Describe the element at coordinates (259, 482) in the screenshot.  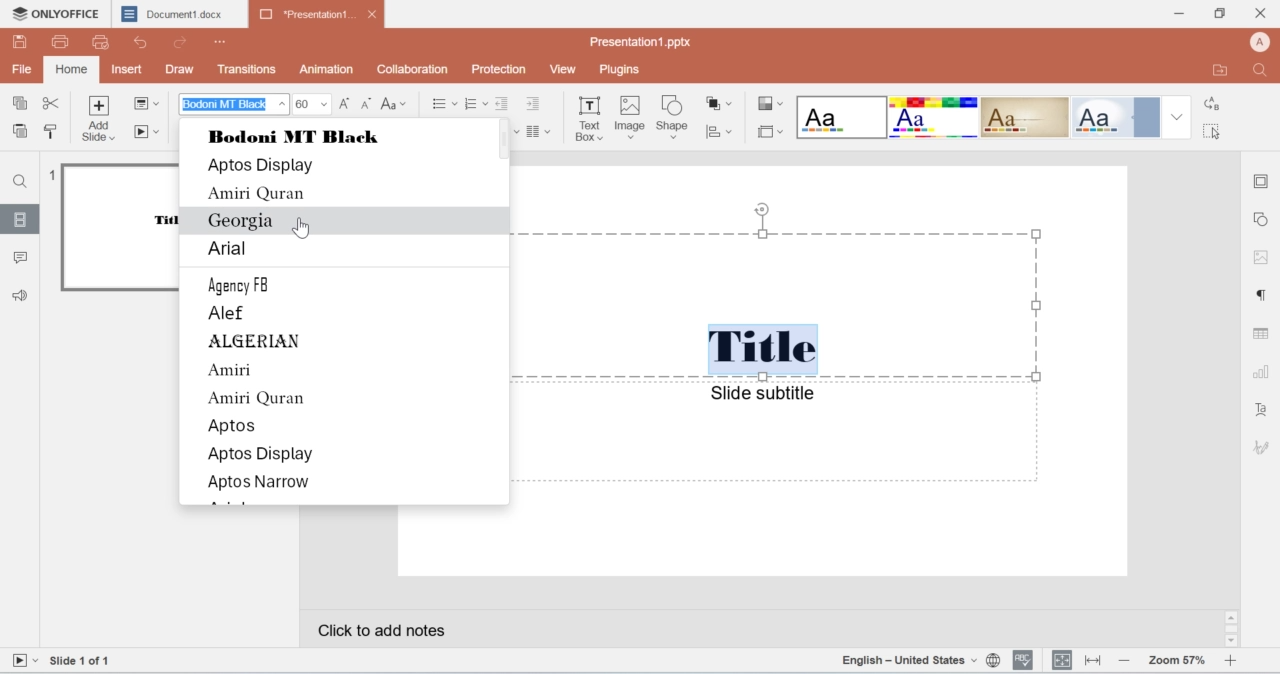
I see `Aptos Narrow` at that location.